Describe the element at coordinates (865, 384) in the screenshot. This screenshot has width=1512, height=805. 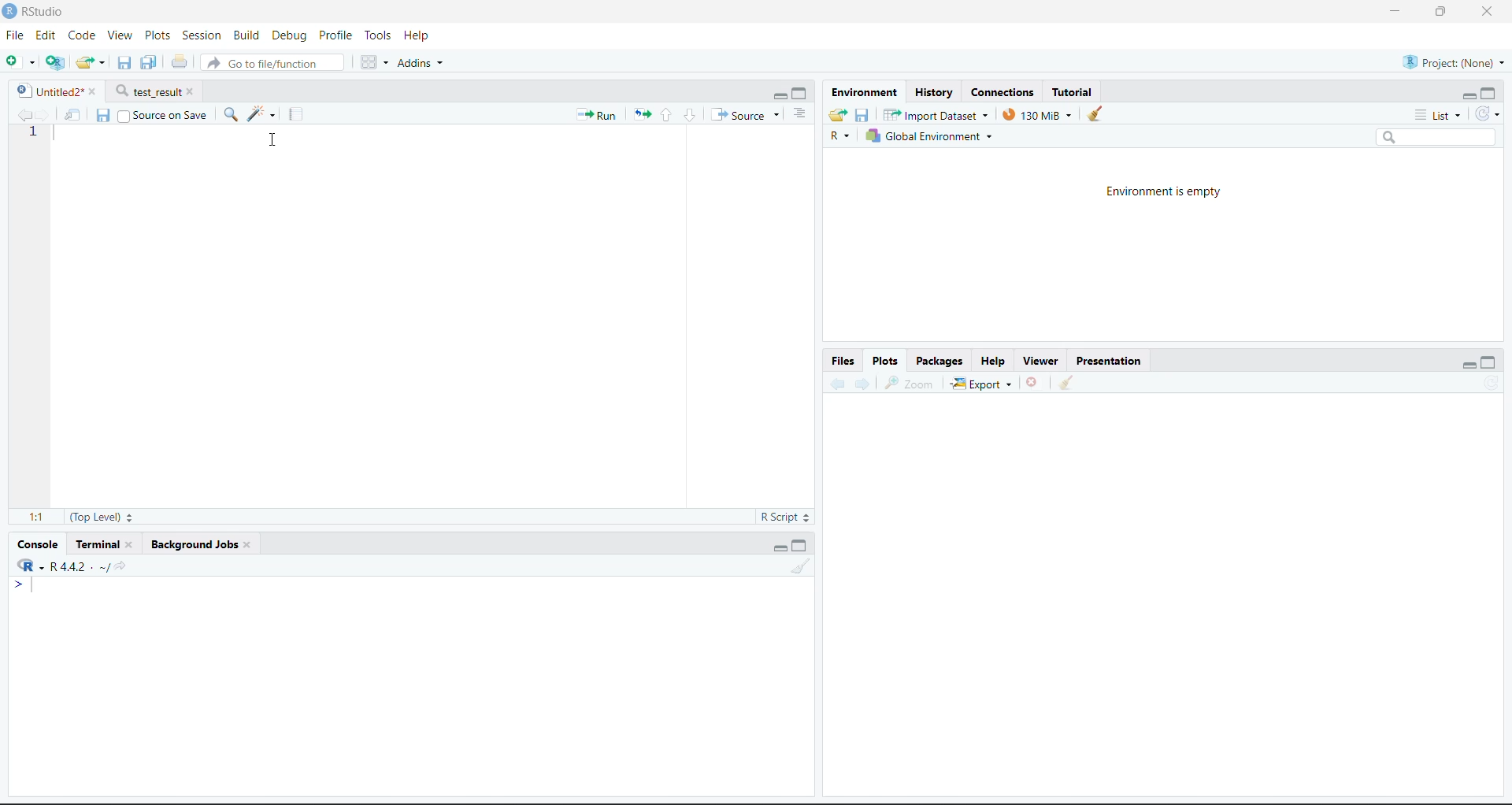
I see `Go forward to the next source location (Ctrl + F10)` at that location.